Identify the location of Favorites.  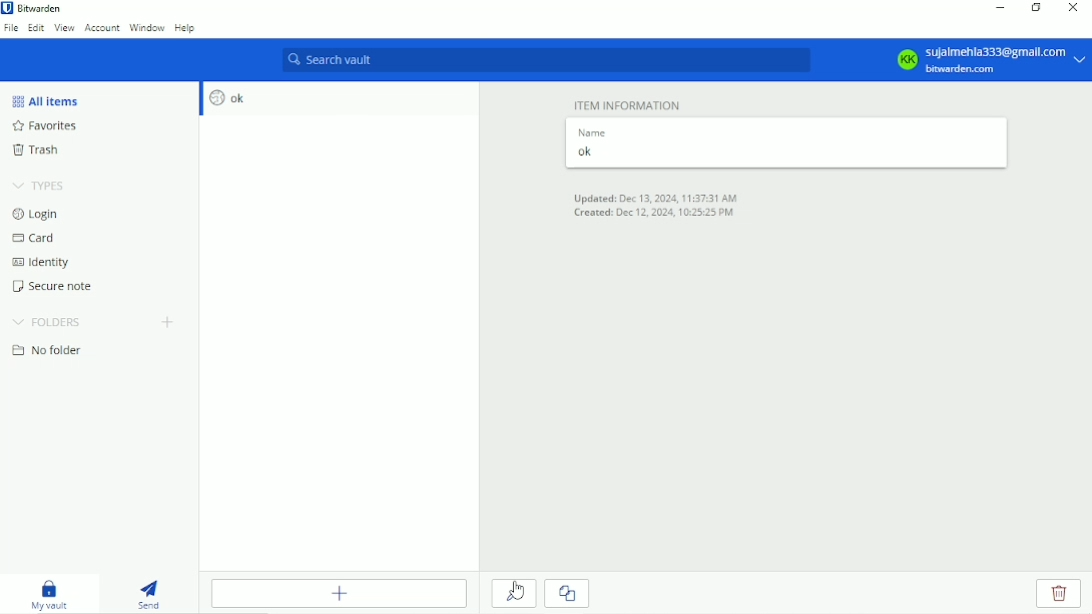
(56, 126).